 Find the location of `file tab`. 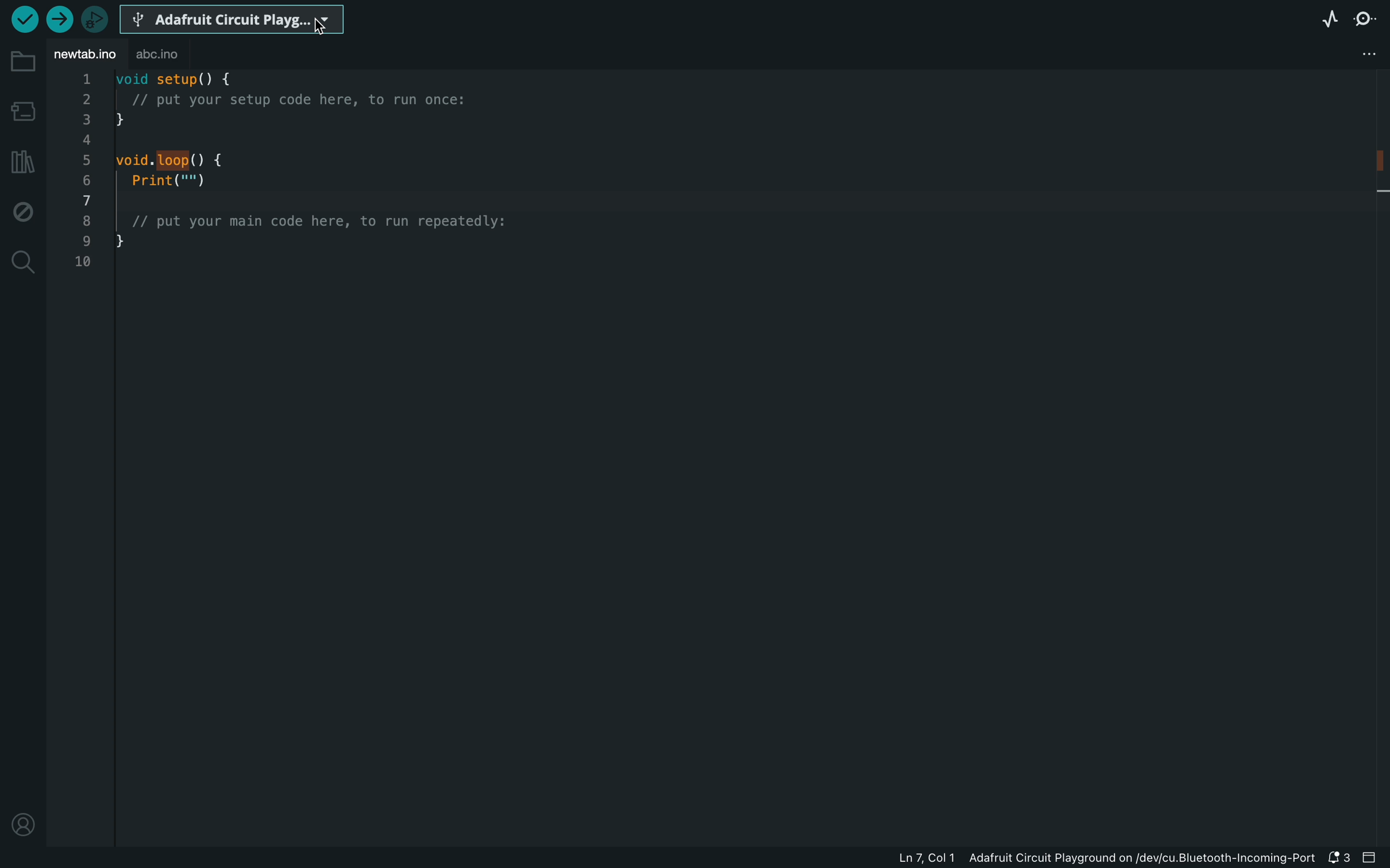

file tab is located at coordinates (86, 55).